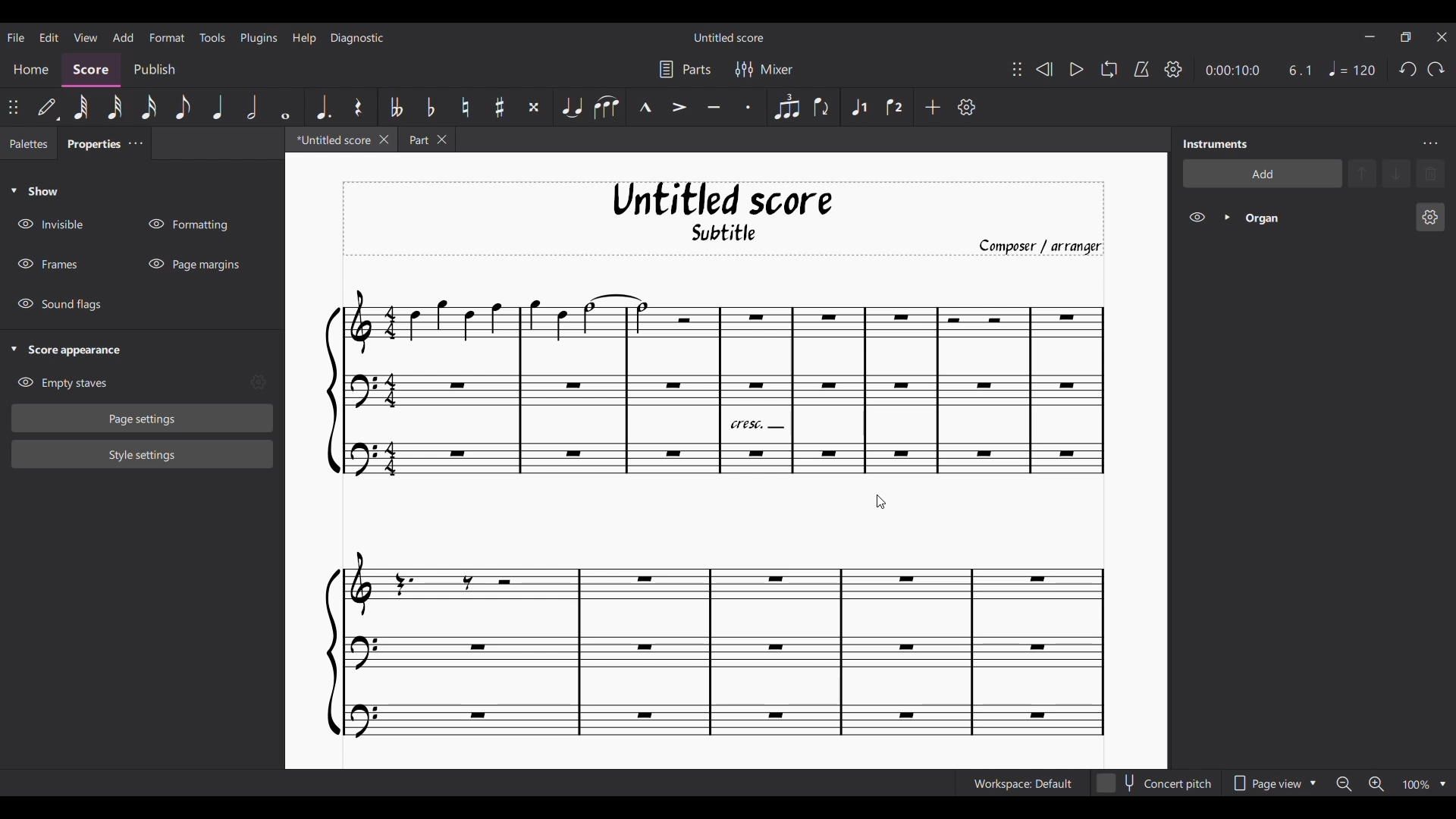 This screenshot has height=819, width=1456. Describe the element at coordinates (212, 36) in the screenshot. I see `Tools menu` at that location.